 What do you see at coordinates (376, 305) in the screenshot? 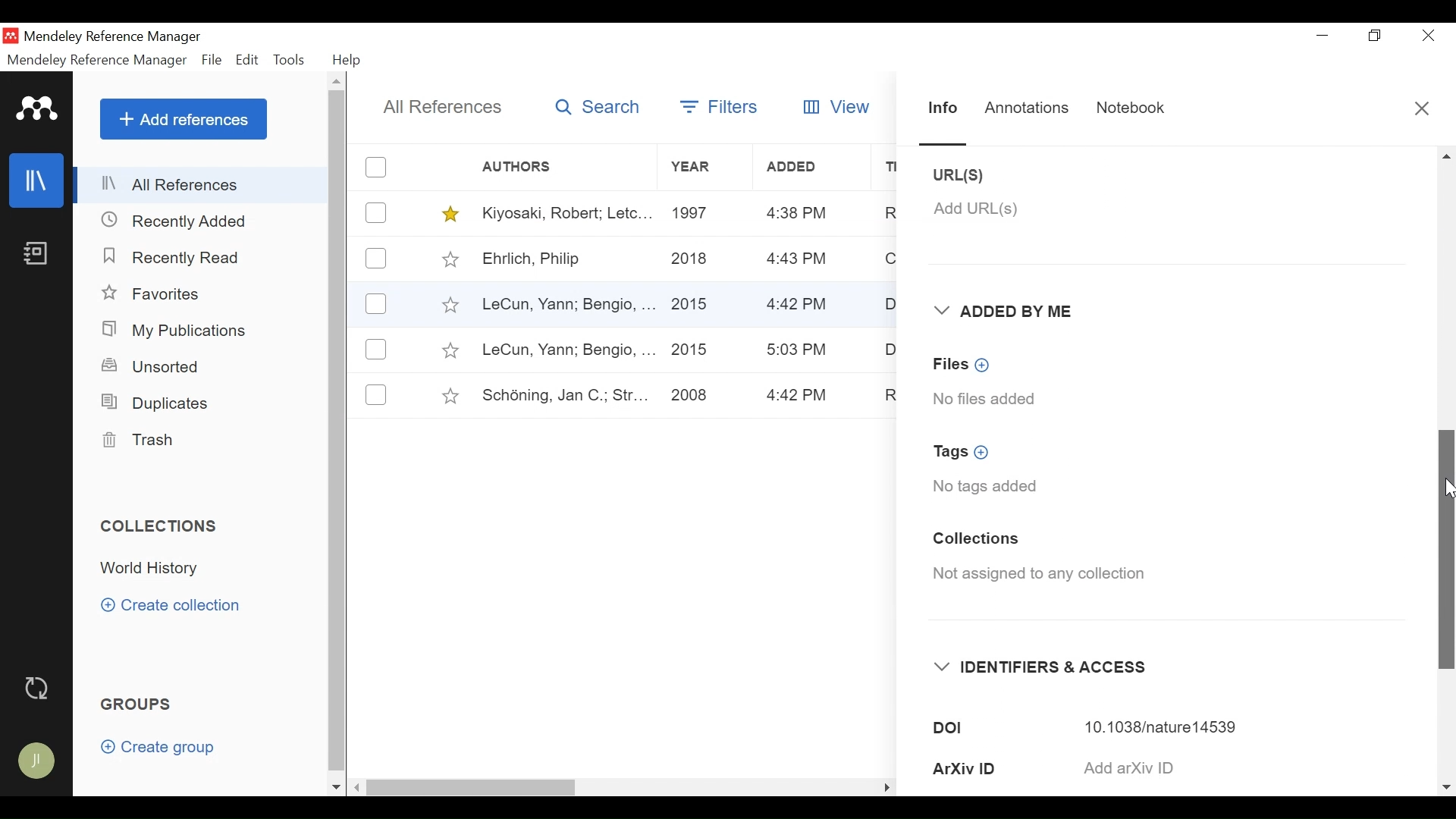
I see `(un)select` at bounding box center [376, 305].